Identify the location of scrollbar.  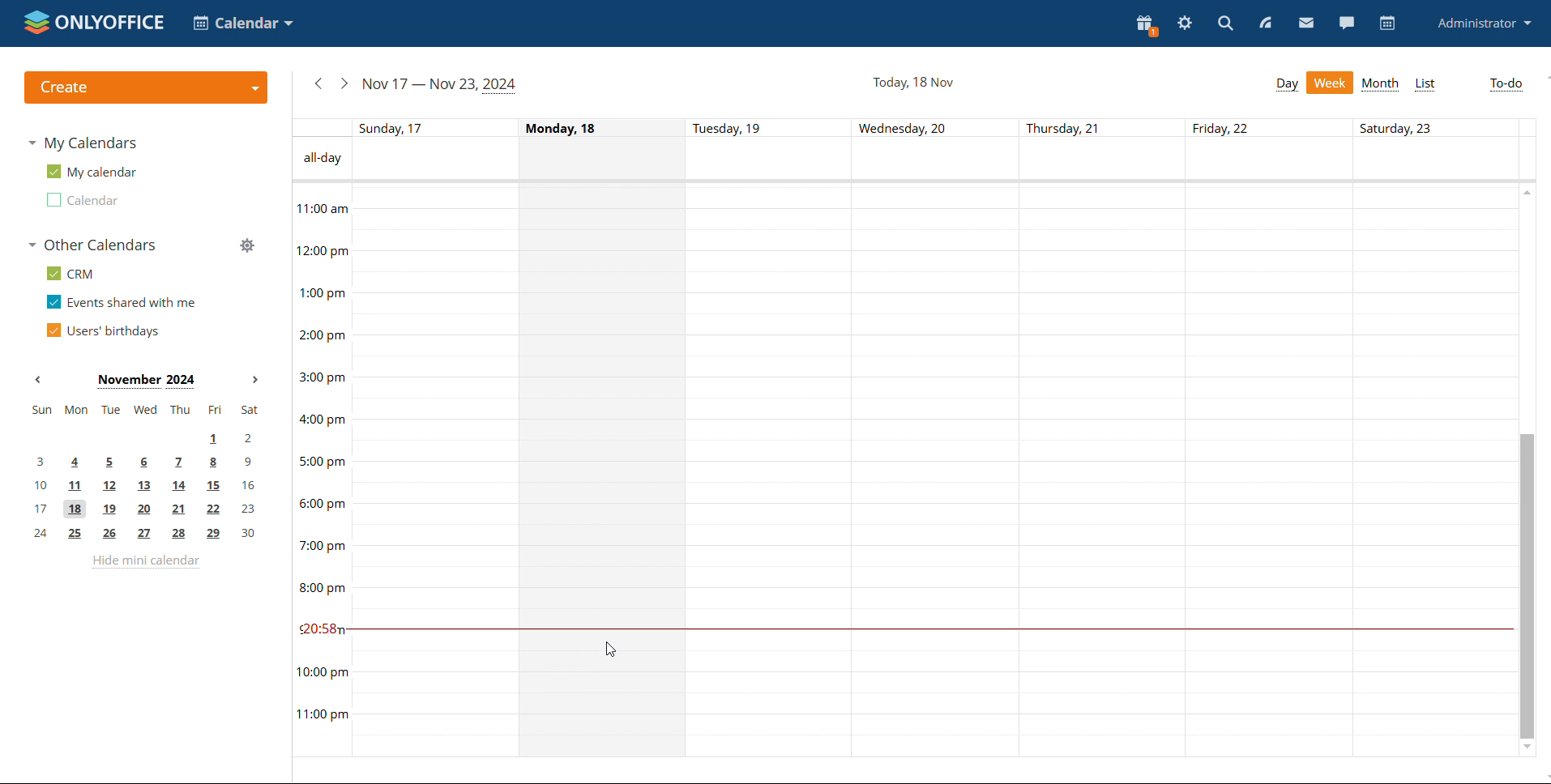
(1523, 586).